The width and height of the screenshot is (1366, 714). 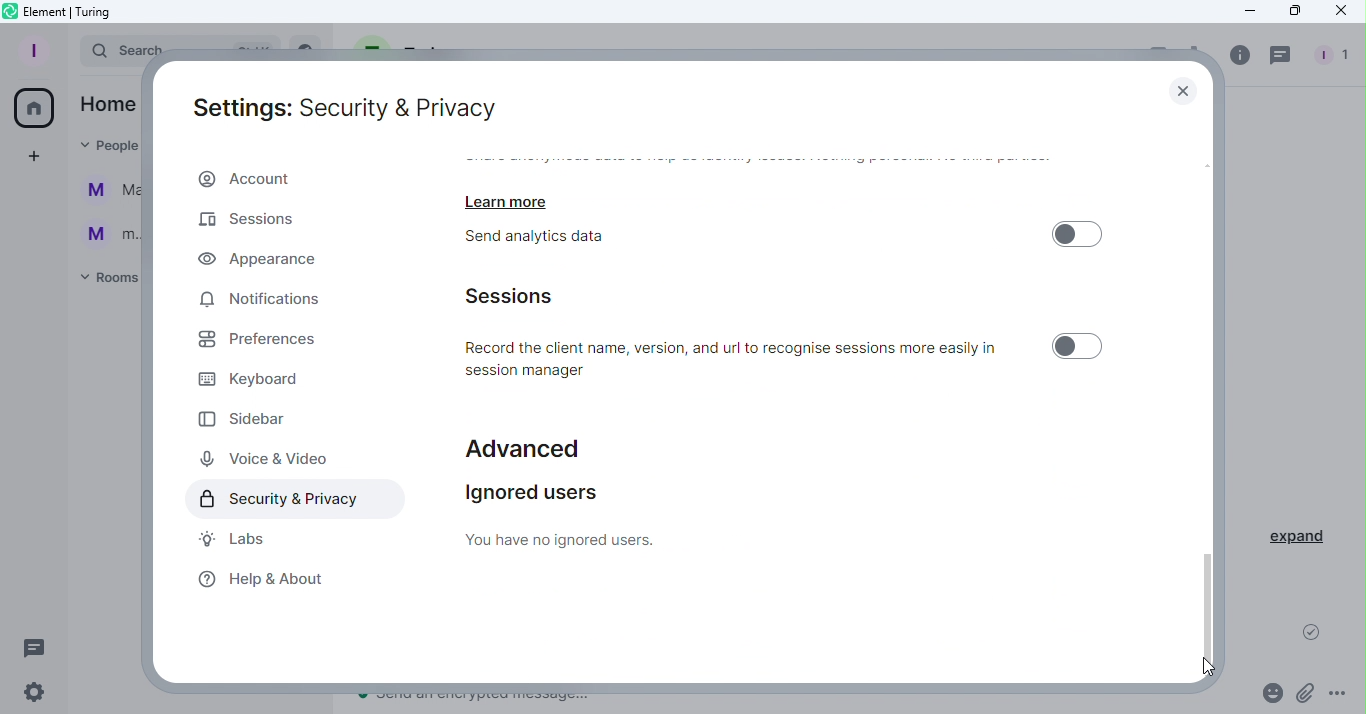 I want to click on People, so click(x=1337, y=52).